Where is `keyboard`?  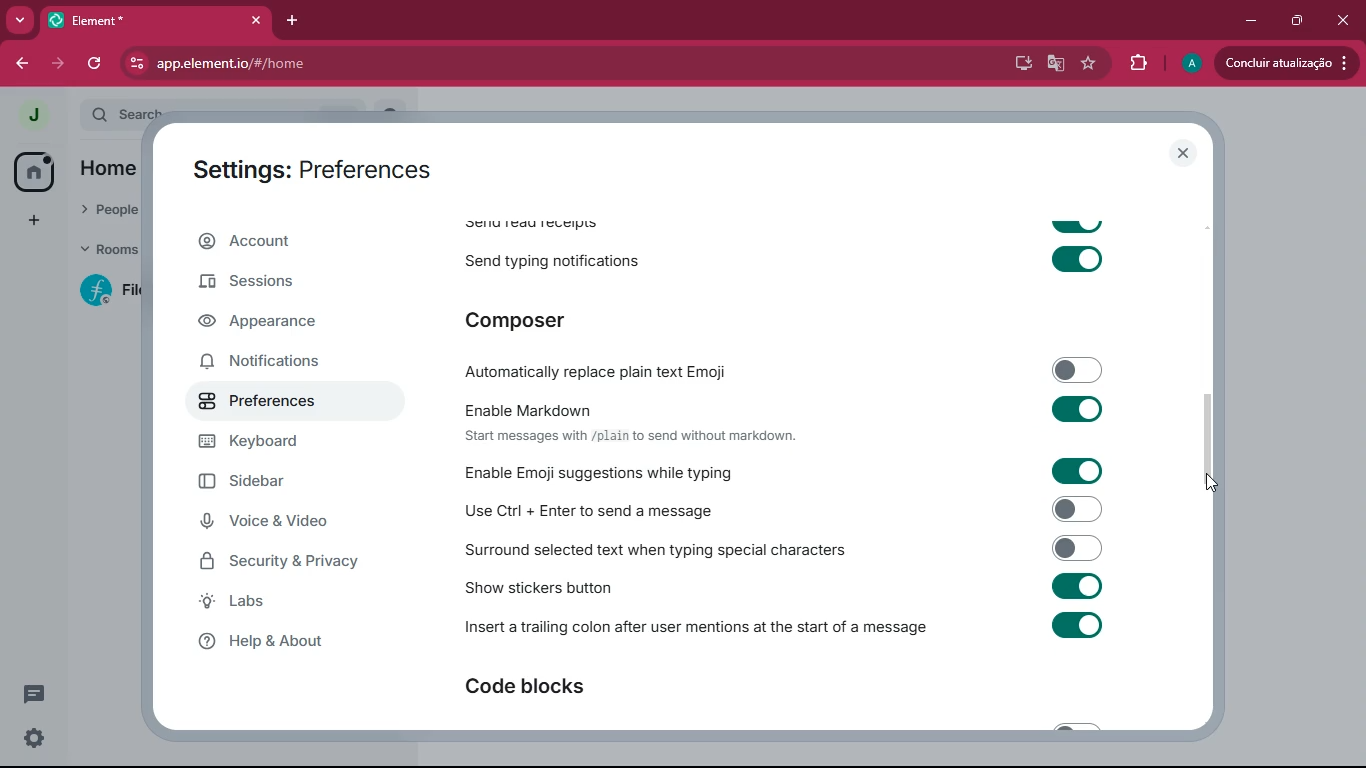
keyboard is located at coordinates (277, 444).